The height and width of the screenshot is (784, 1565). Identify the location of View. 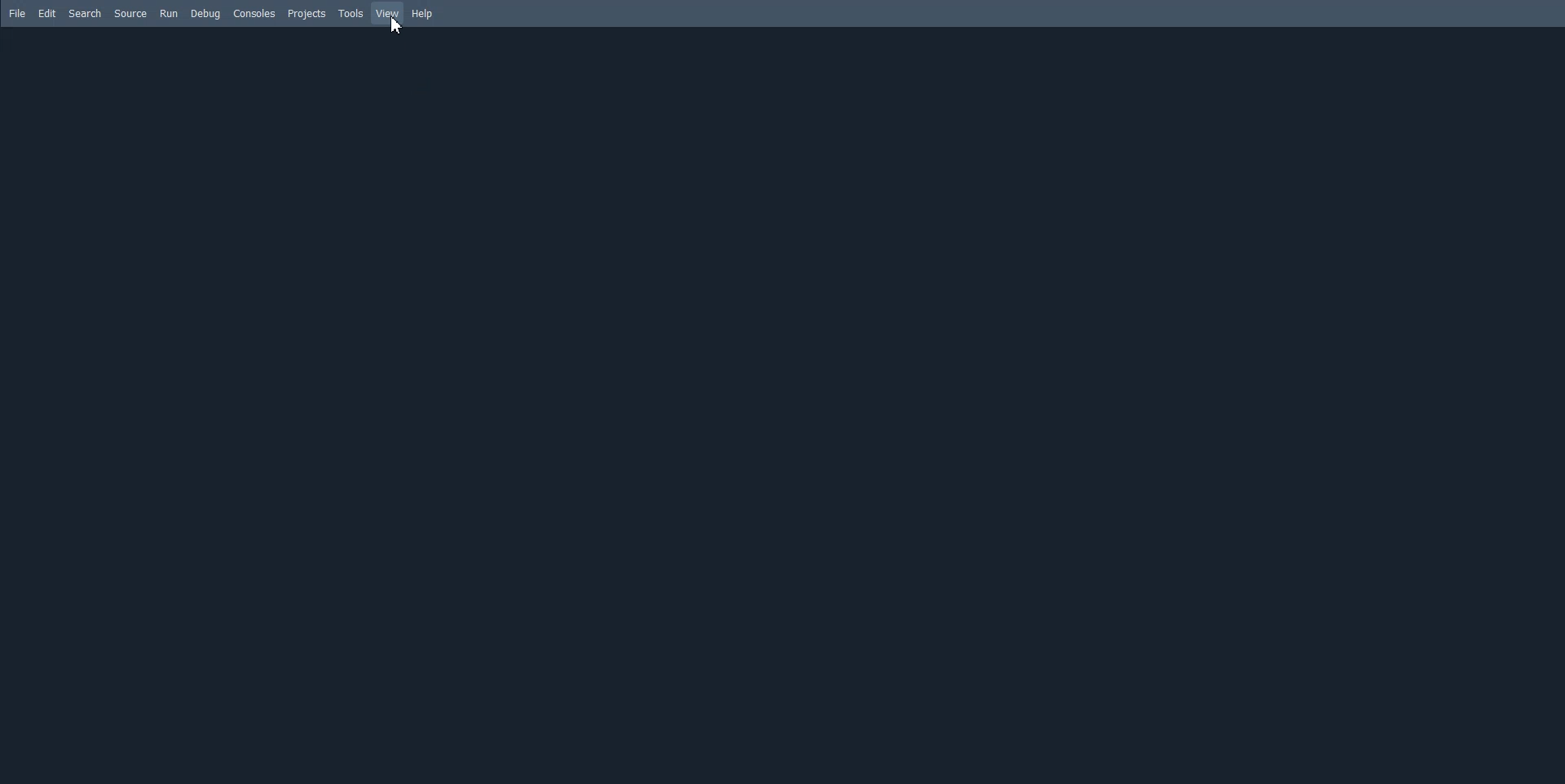
(388, 13).